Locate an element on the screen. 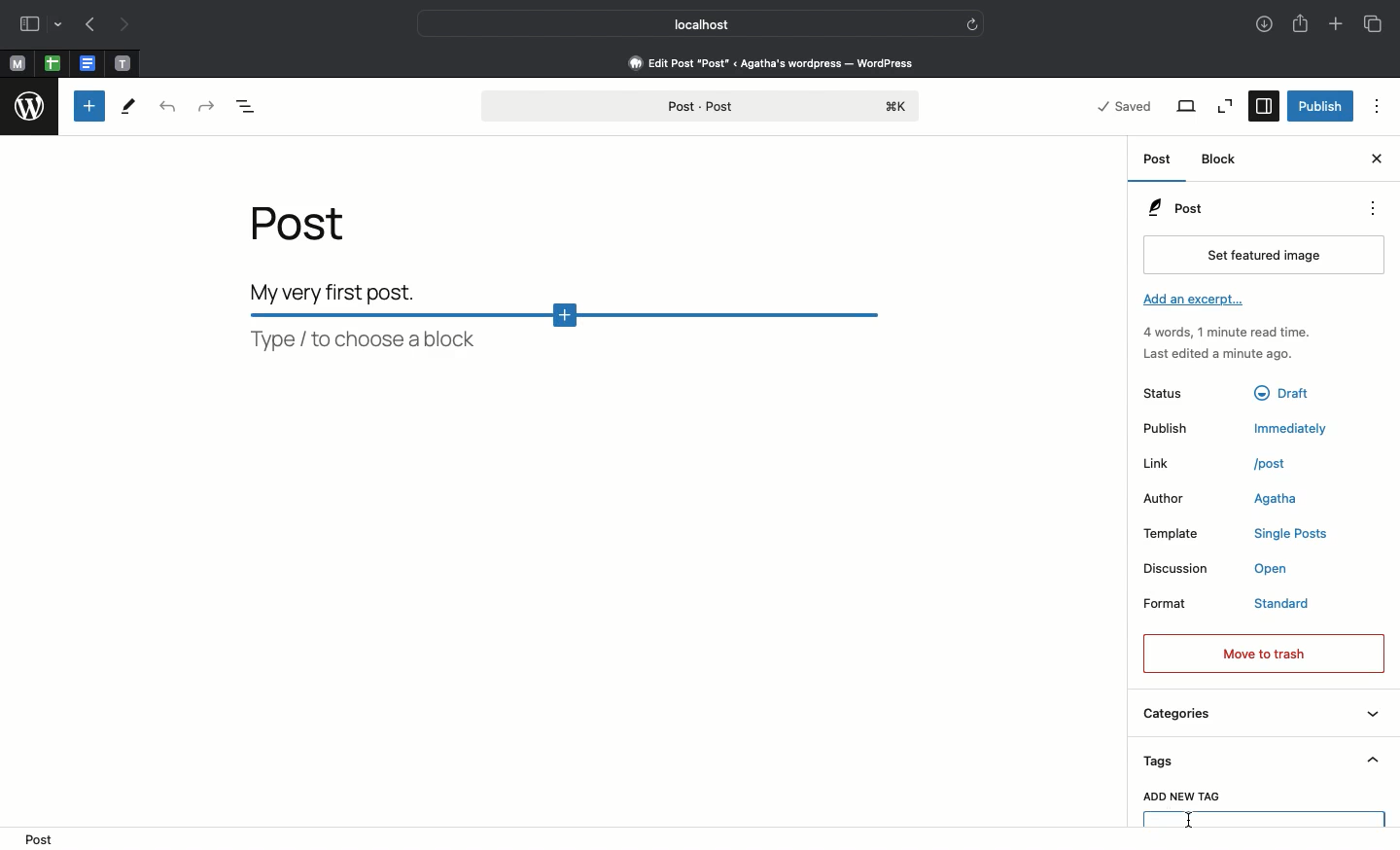 This screenshot has width=1400, height=850. Next page is located at coordinates (122, 24).